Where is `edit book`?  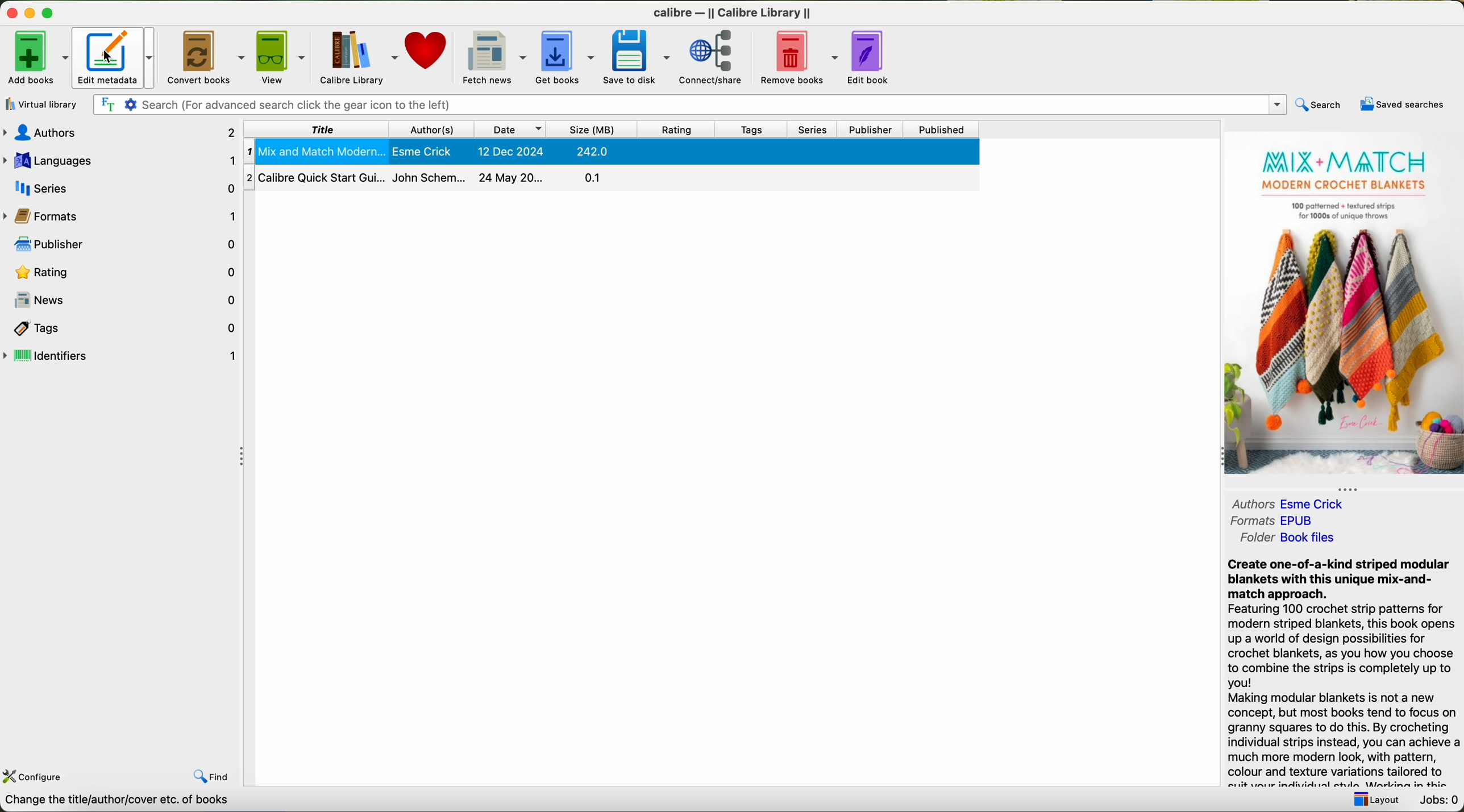
edit book is located at coordinates (871, 57).